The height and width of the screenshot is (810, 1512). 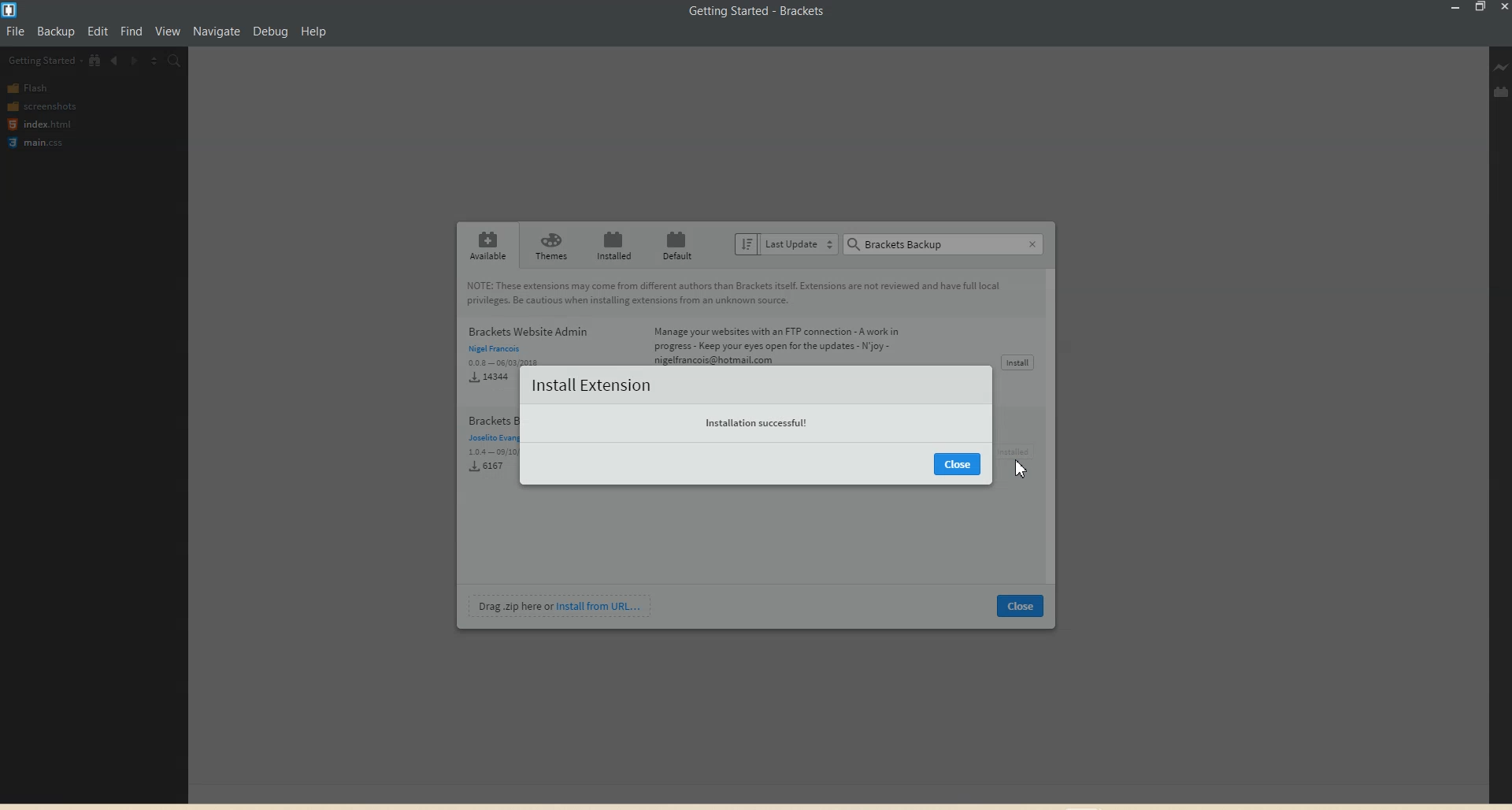 I want to click on Debug, so click(x=271, y=28).